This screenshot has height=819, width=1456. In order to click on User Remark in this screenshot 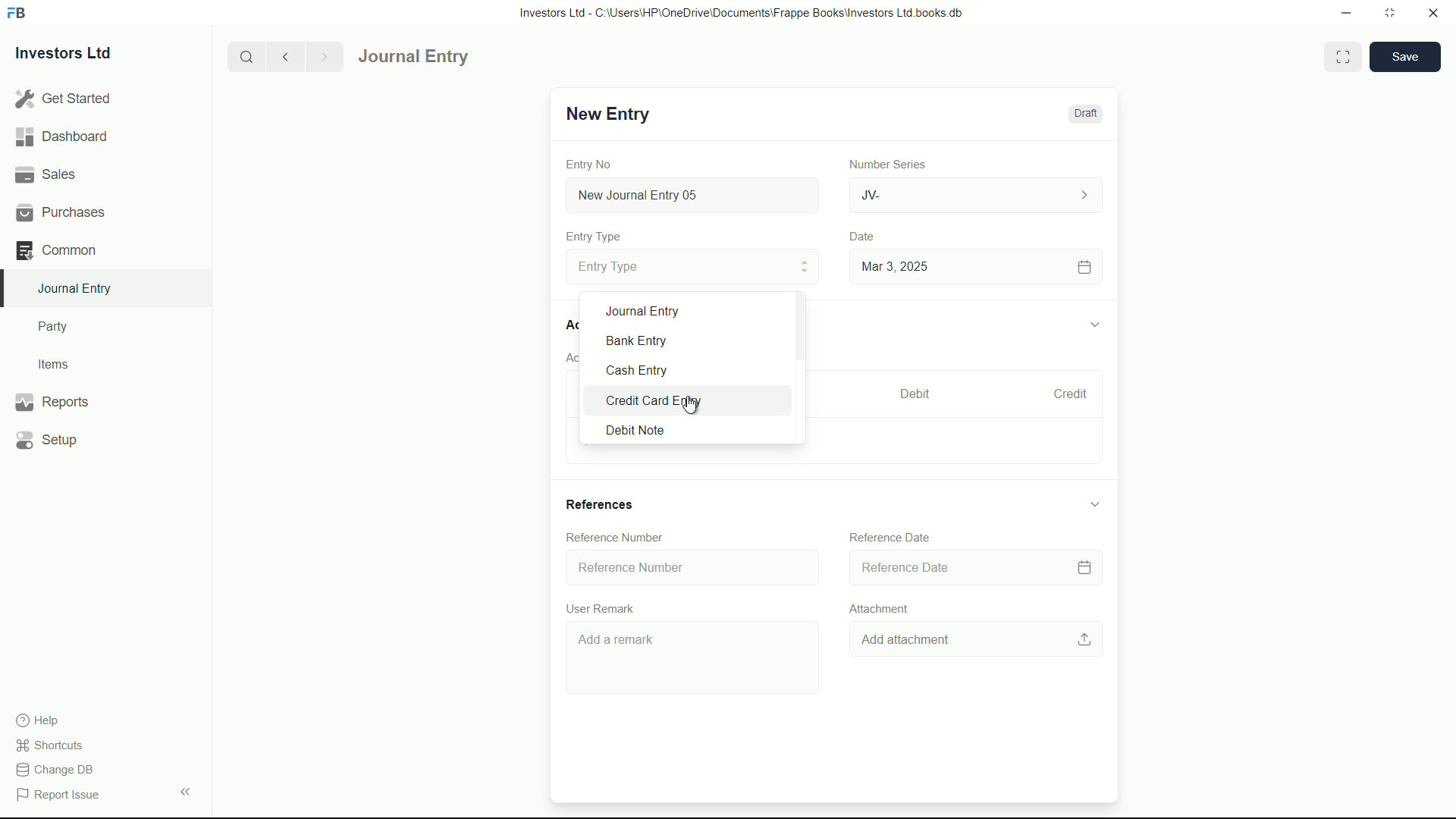, I will do `click(598, 608)`.